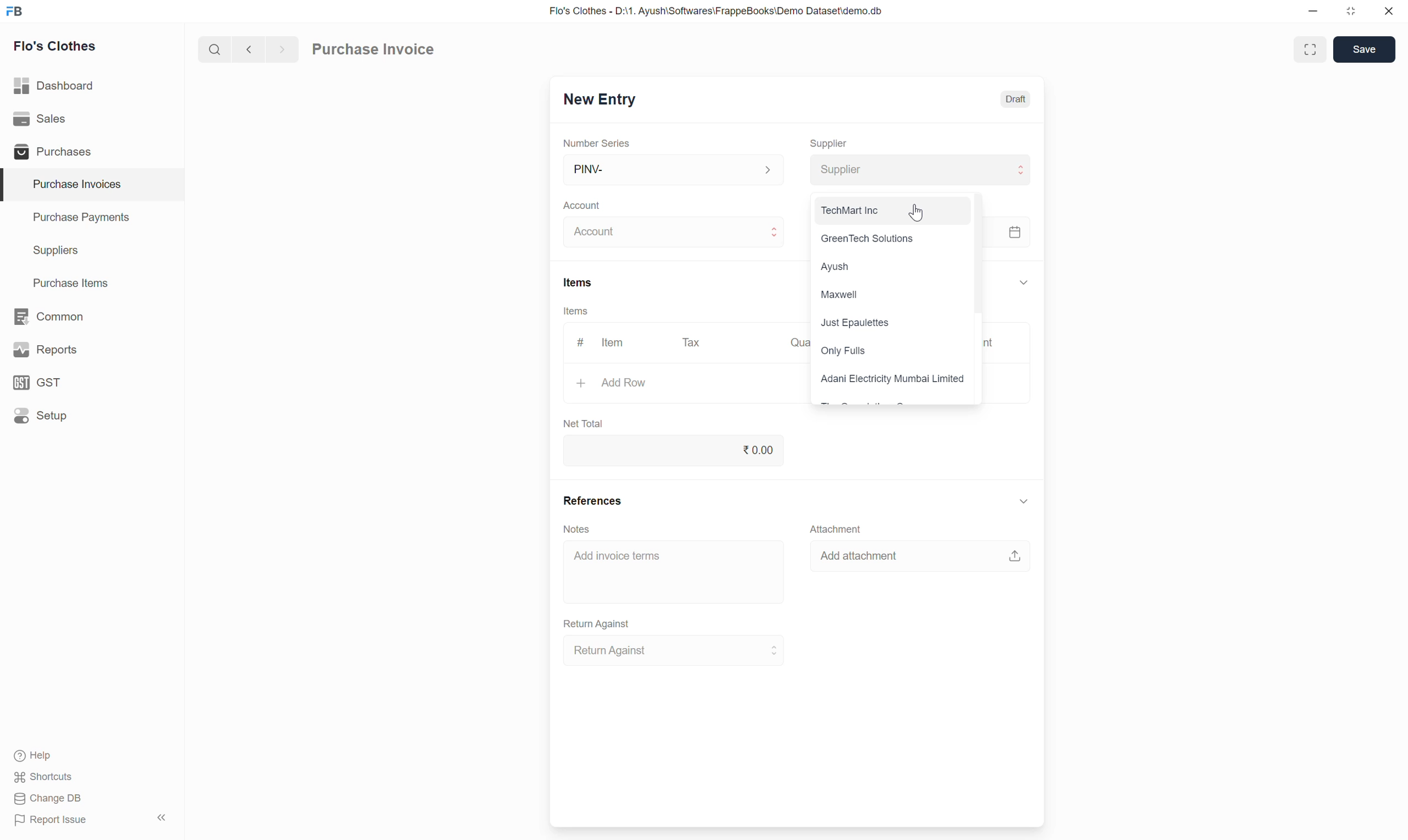 This screenshot has height=840, width=1408. What do you see at coordinates (593, 501) in the screenshot?
I see `References` at bounding box center [593, 501].